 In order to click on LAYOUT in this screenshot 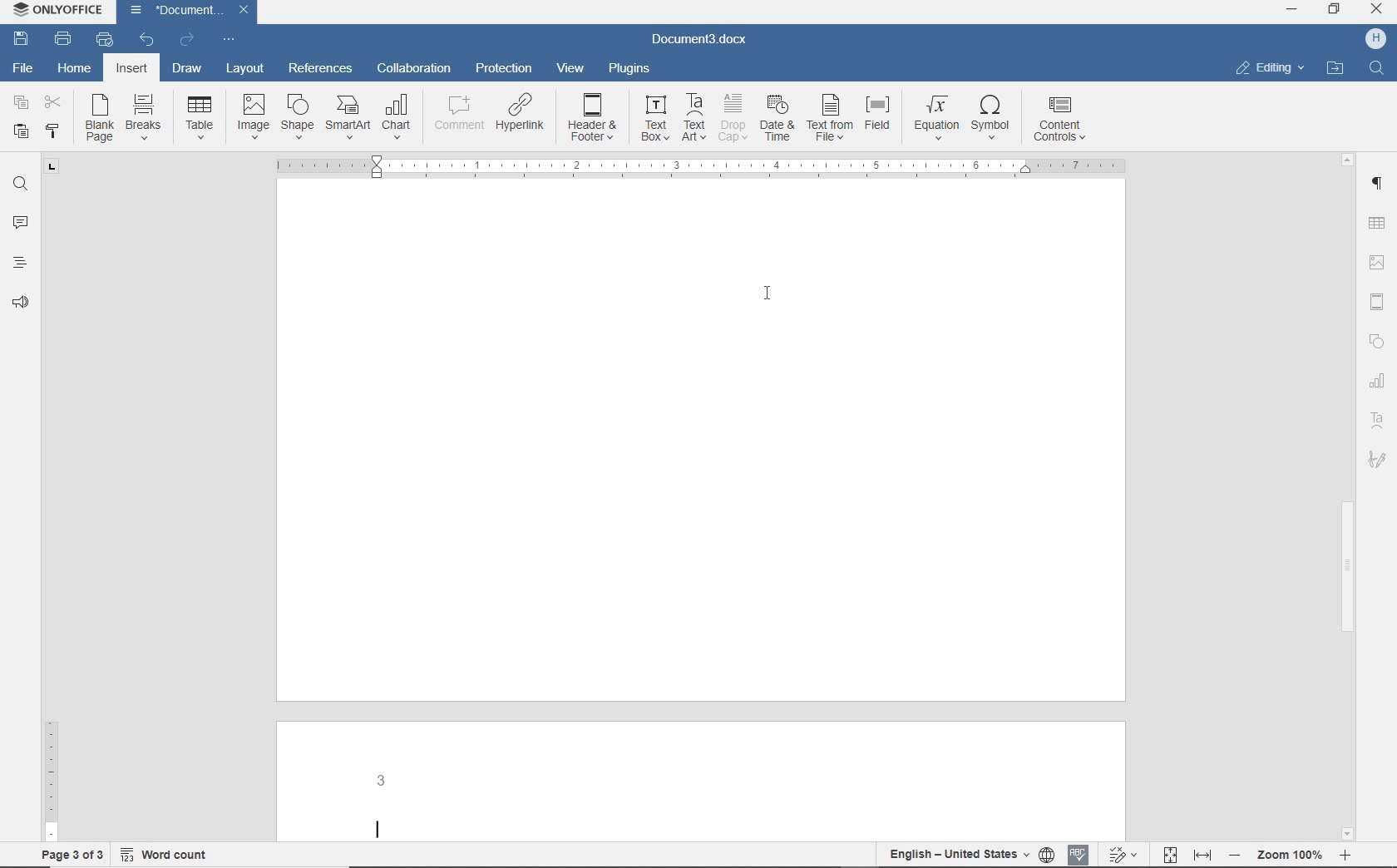, I will do `click(241, 70)`.